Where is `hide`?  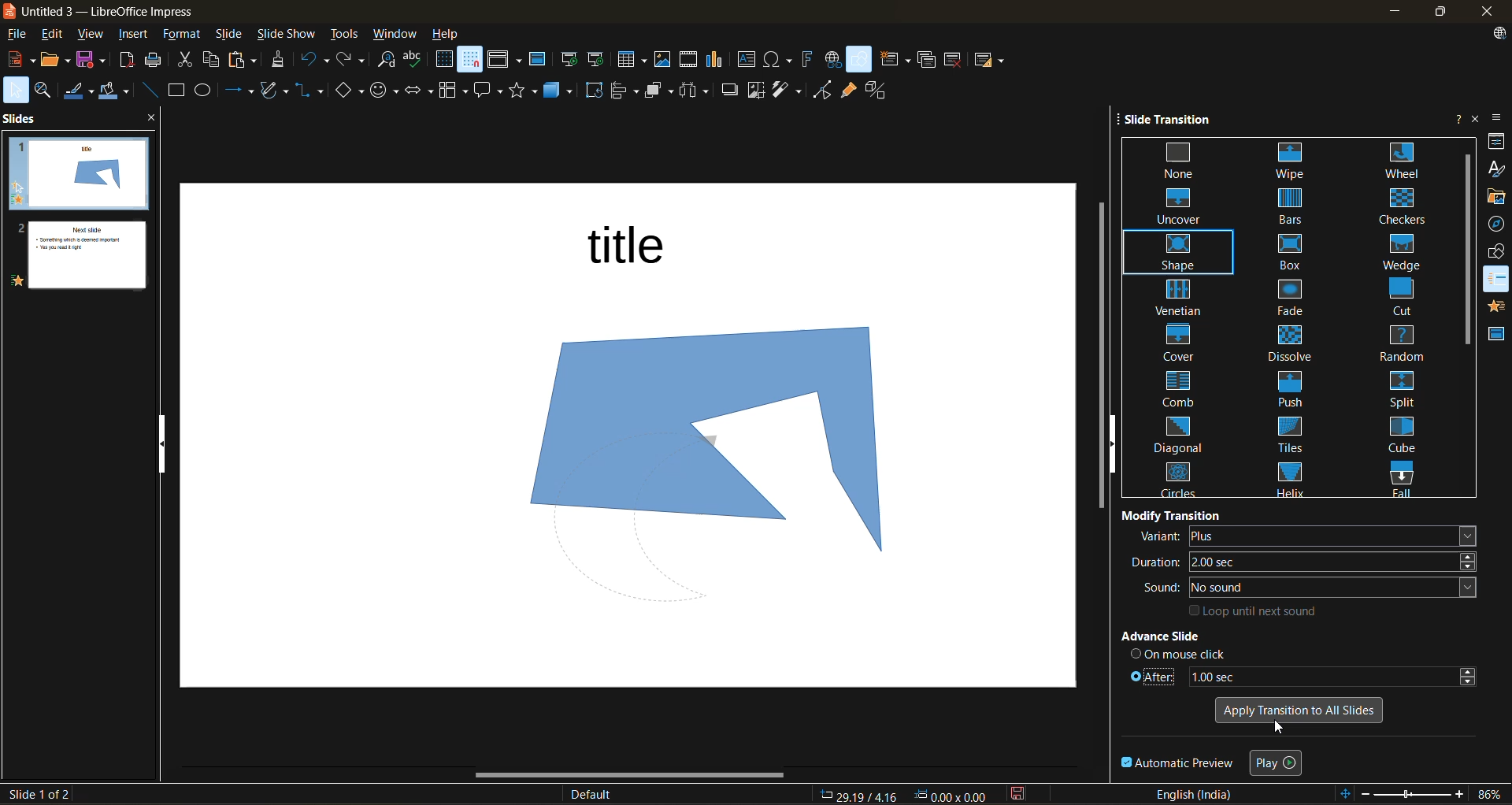 hide is located at coordinates (1115, 444).